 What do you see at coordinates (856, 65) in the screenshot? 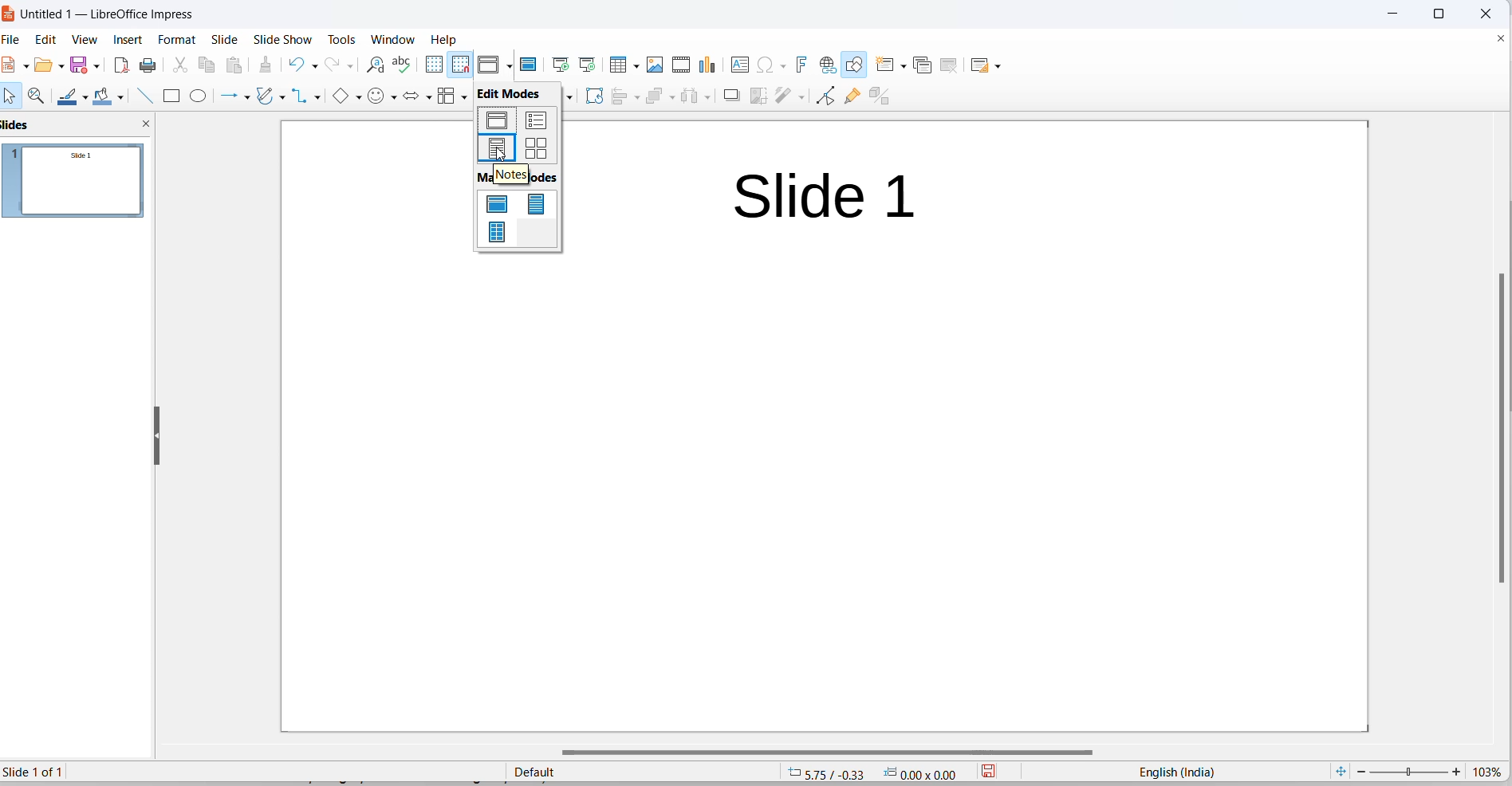
I see `draw shapes tools` at bounding box center [856, 65].